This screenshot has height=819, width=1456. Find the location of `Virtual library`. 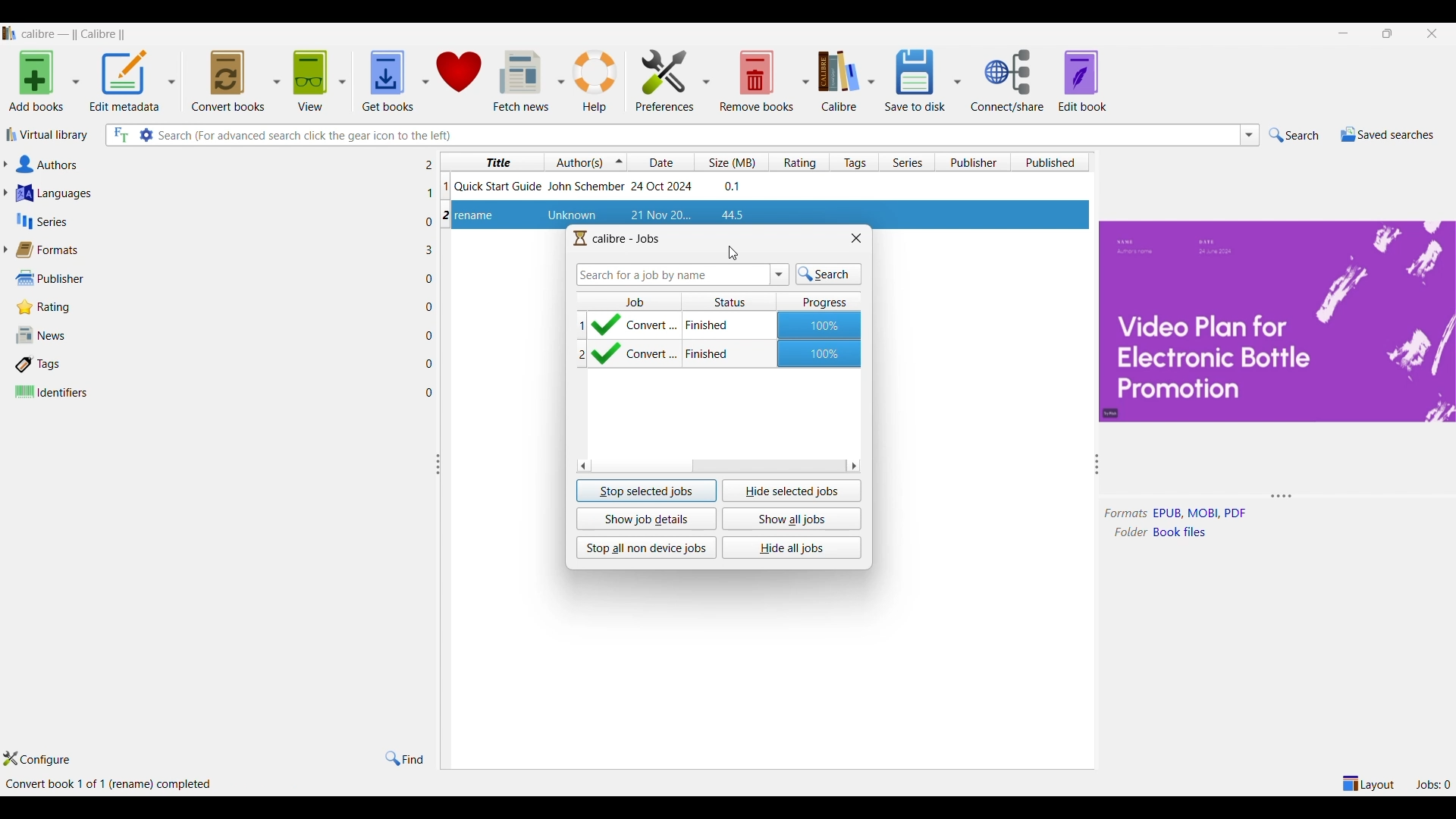

Virtual library is located at coordinates (47, 135).